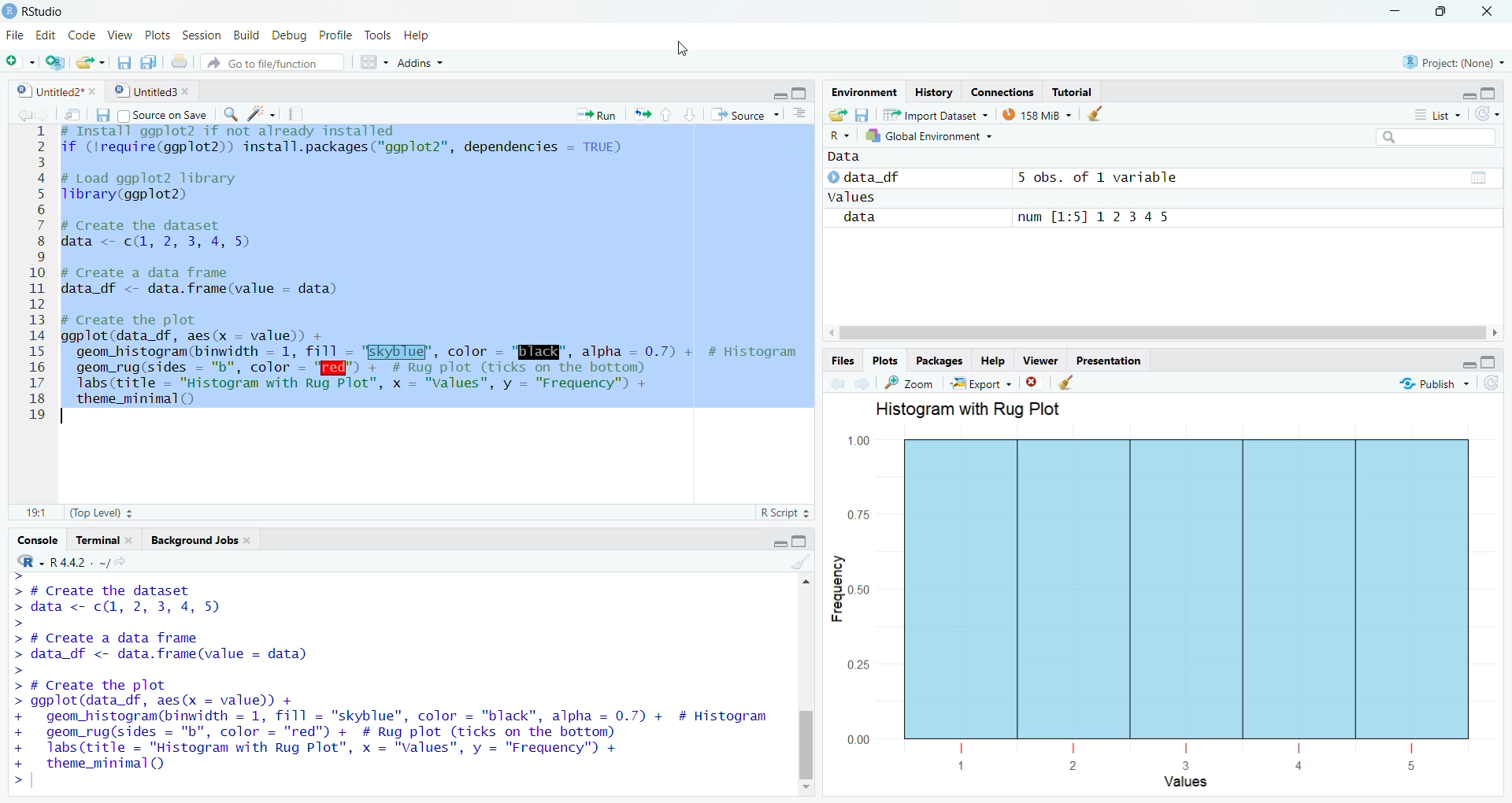  Describe the element at coordinates (1162, 592) in the screenshot. I see `Histogram with Rug Flot
1.00
0.75
-
>
]
3 0.50
3
3
0.25
000 [ i | | [
1 2 3 4 5
Values` at that location.